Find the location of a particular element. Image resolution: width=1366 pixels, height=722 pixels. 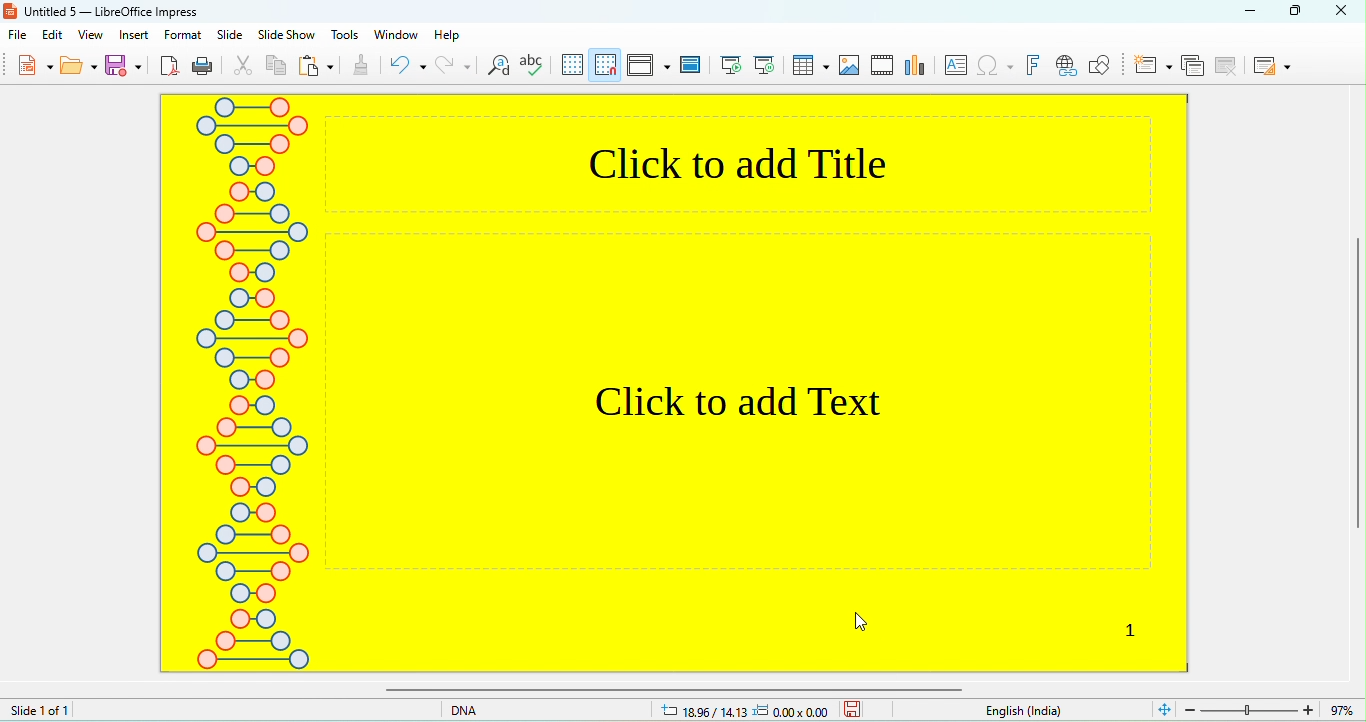

format is located at coordinates (183, 35).